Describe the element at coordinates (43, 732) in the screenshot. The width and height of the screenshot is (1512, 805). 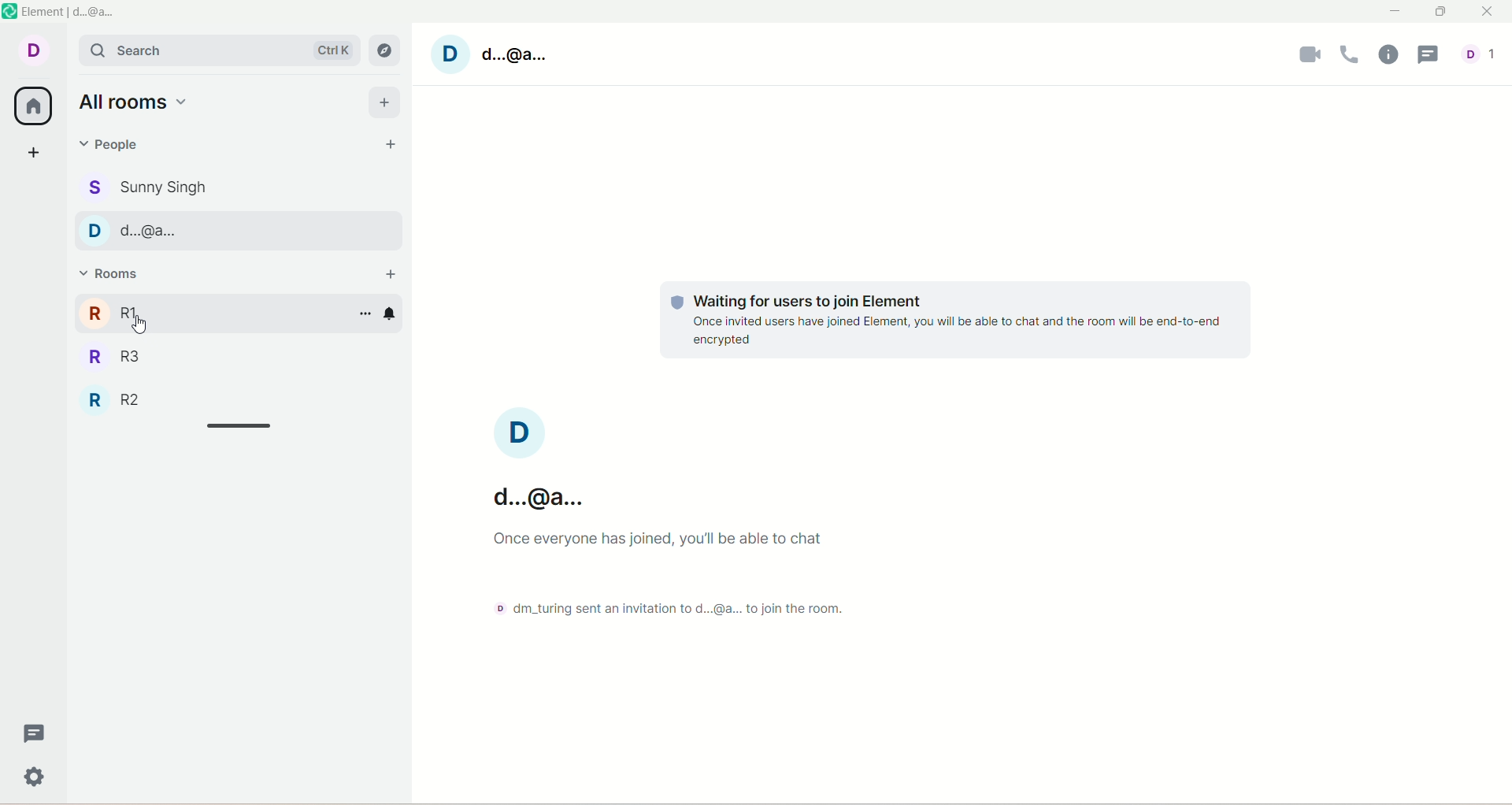
I see `threads` at that location.